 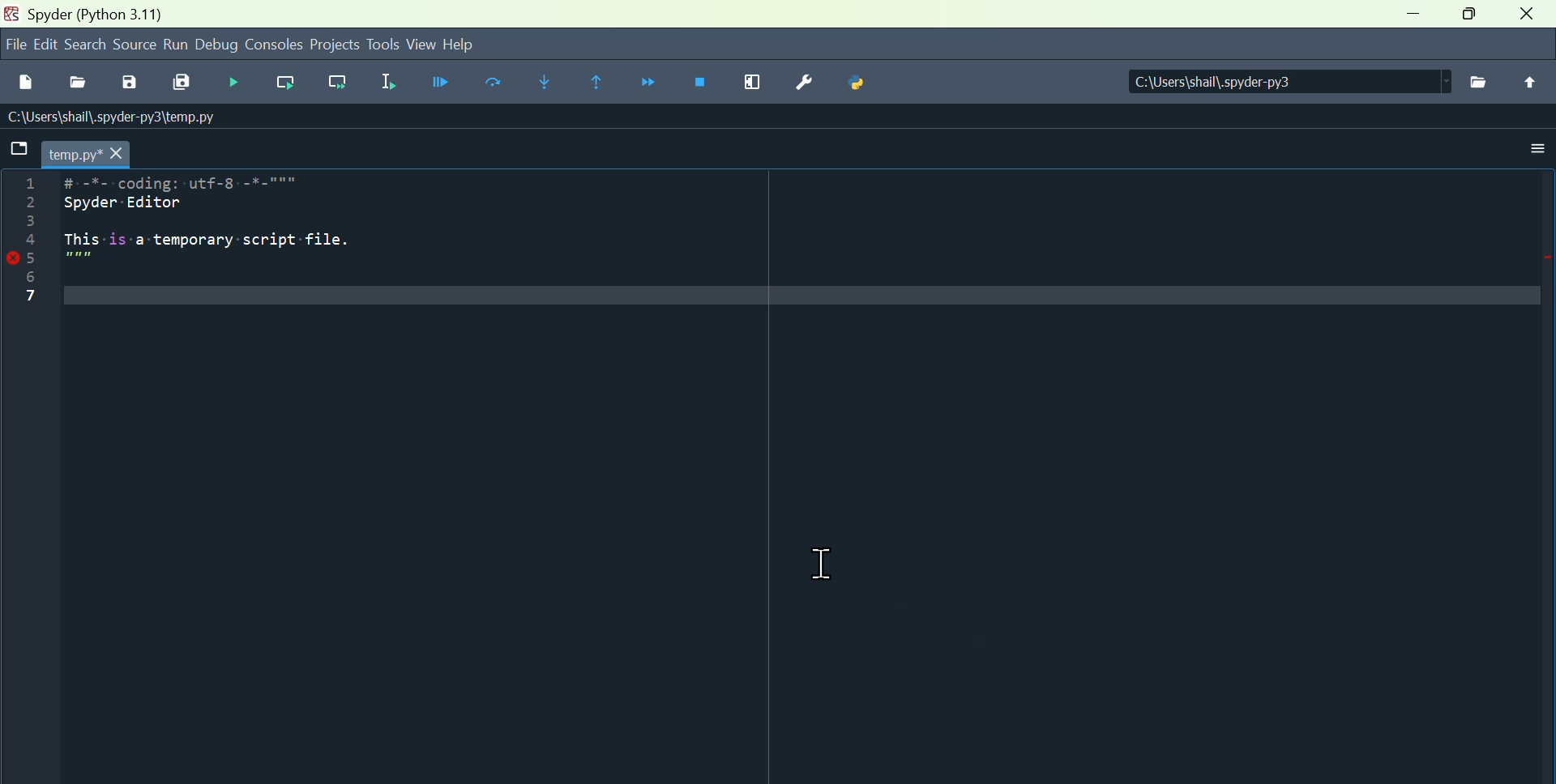 I want to click on Search, so click(x=88, y=46).